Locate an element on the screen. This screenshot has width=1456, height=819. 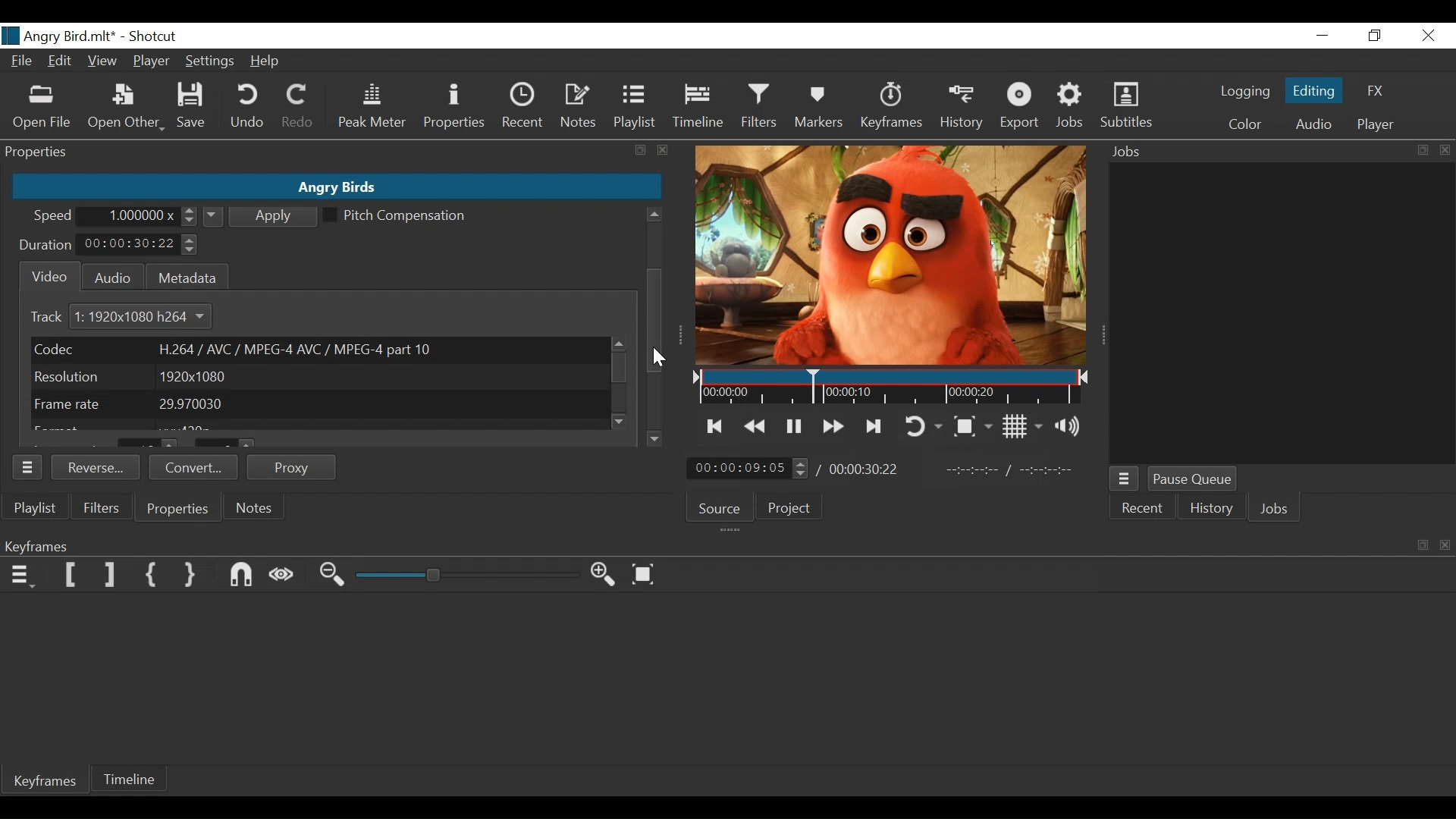
Properties Panel is located at coordinates (337, 152).